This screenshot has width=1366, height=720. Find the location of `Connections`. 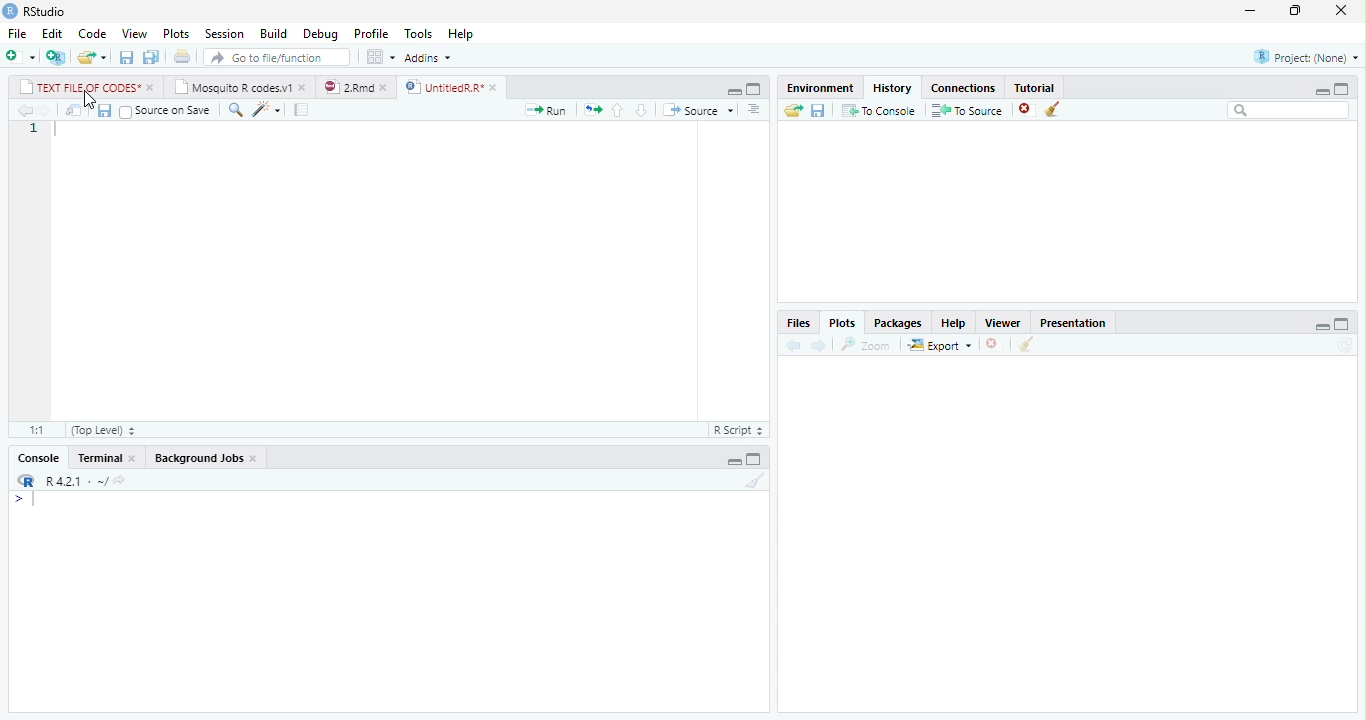

Connections is located at coordinates (963, 89).